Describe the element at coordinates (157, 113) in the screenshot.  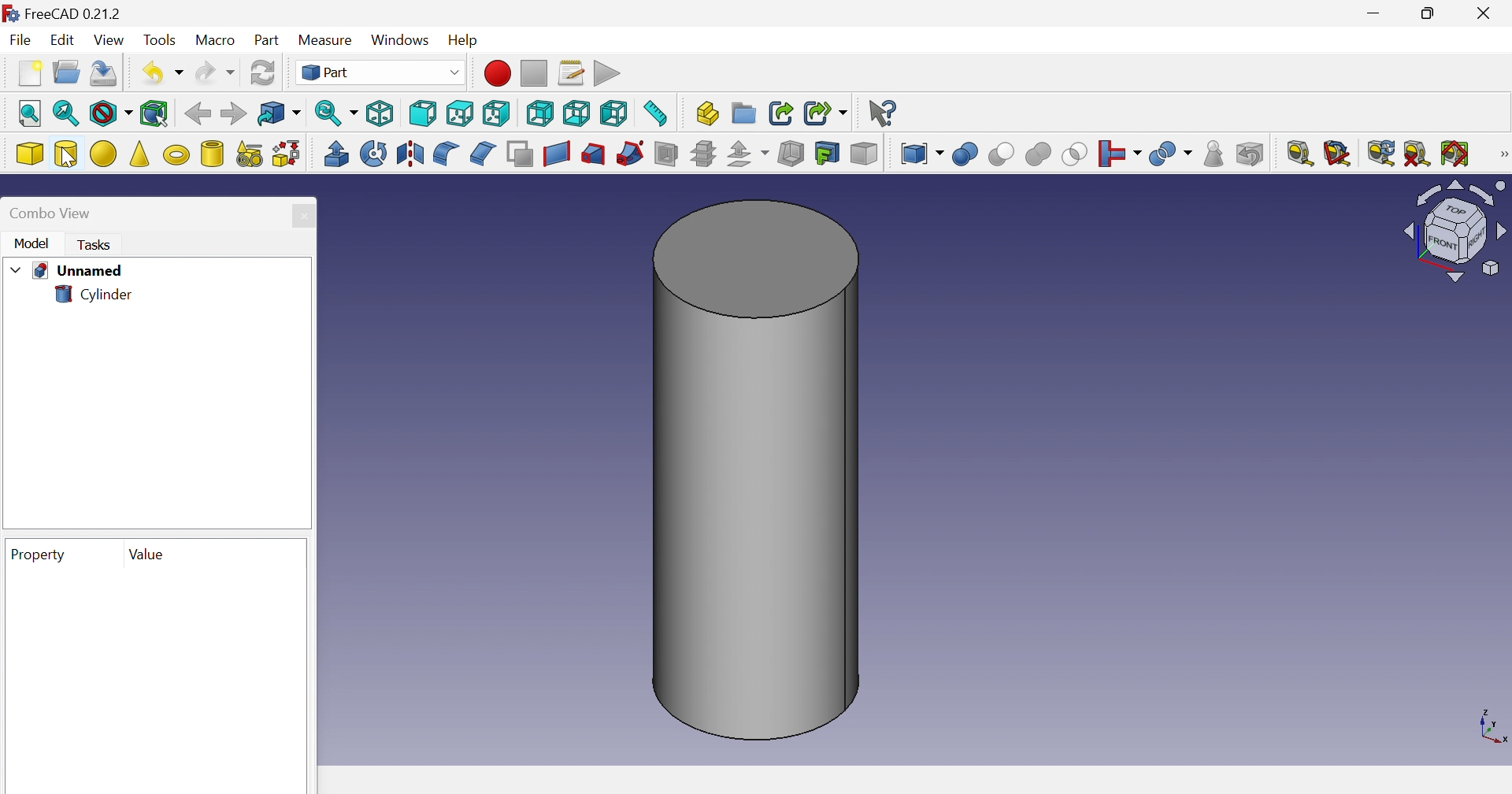
I see `Bounding box` at that location.